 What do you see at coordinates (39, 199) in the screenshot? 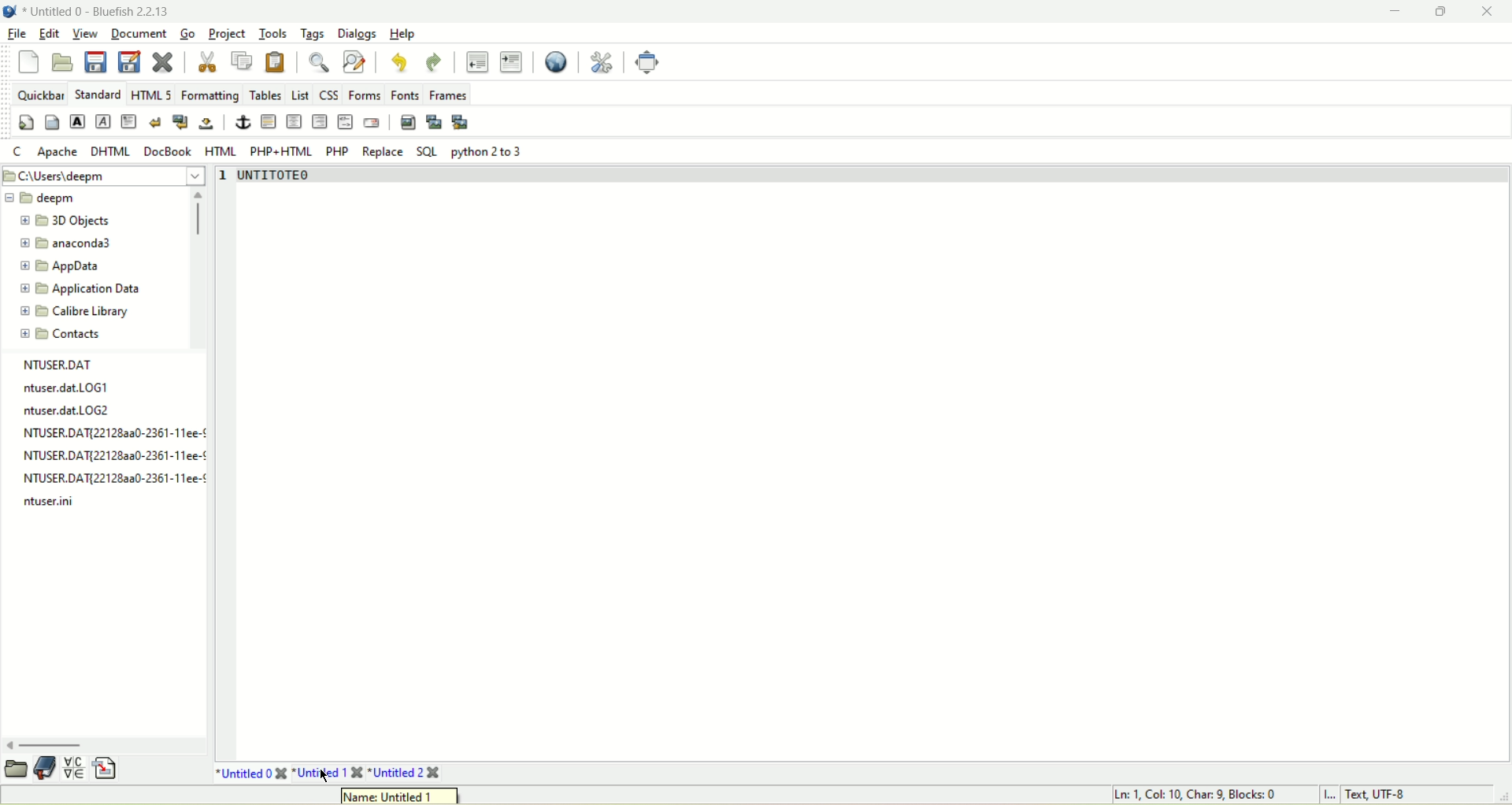
I see `deepm` at bounding box center [39, 199].